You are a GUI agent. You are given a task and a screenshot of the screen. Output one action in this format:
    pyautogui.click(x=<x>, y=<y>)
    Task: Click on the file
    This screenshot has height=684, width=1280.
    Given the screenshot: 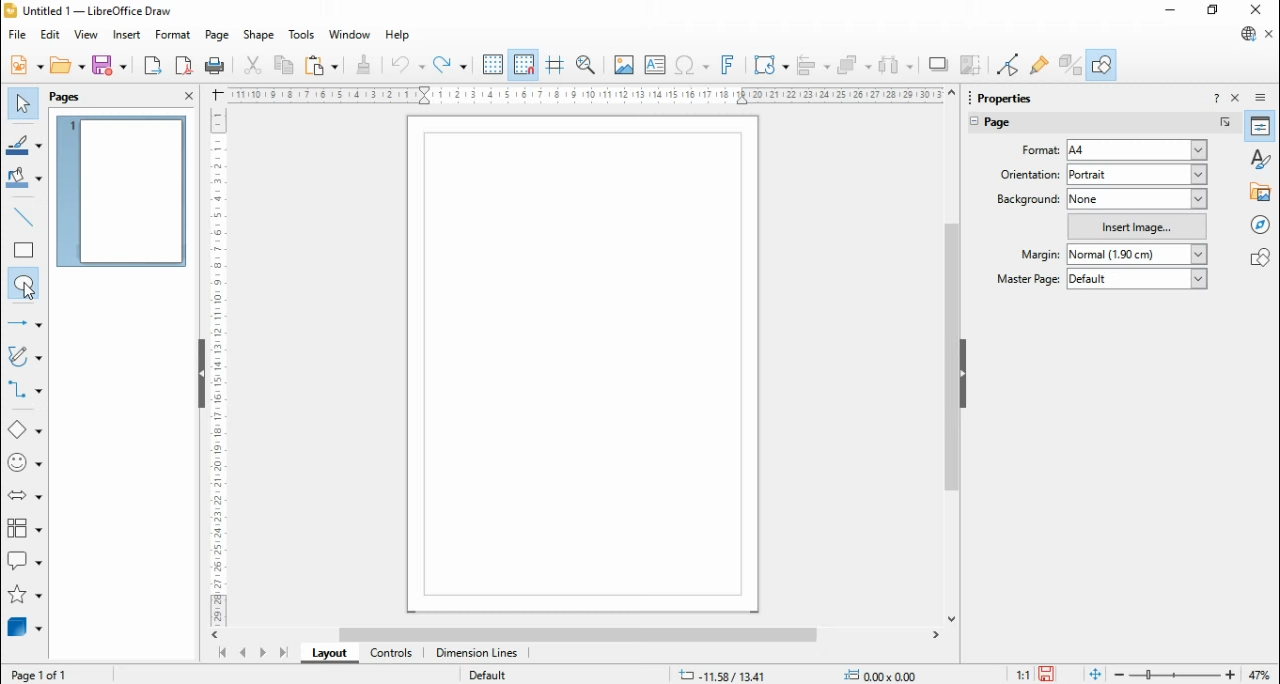 What is the action you would take?
    pyautogui.click(x=19, y=34)
    